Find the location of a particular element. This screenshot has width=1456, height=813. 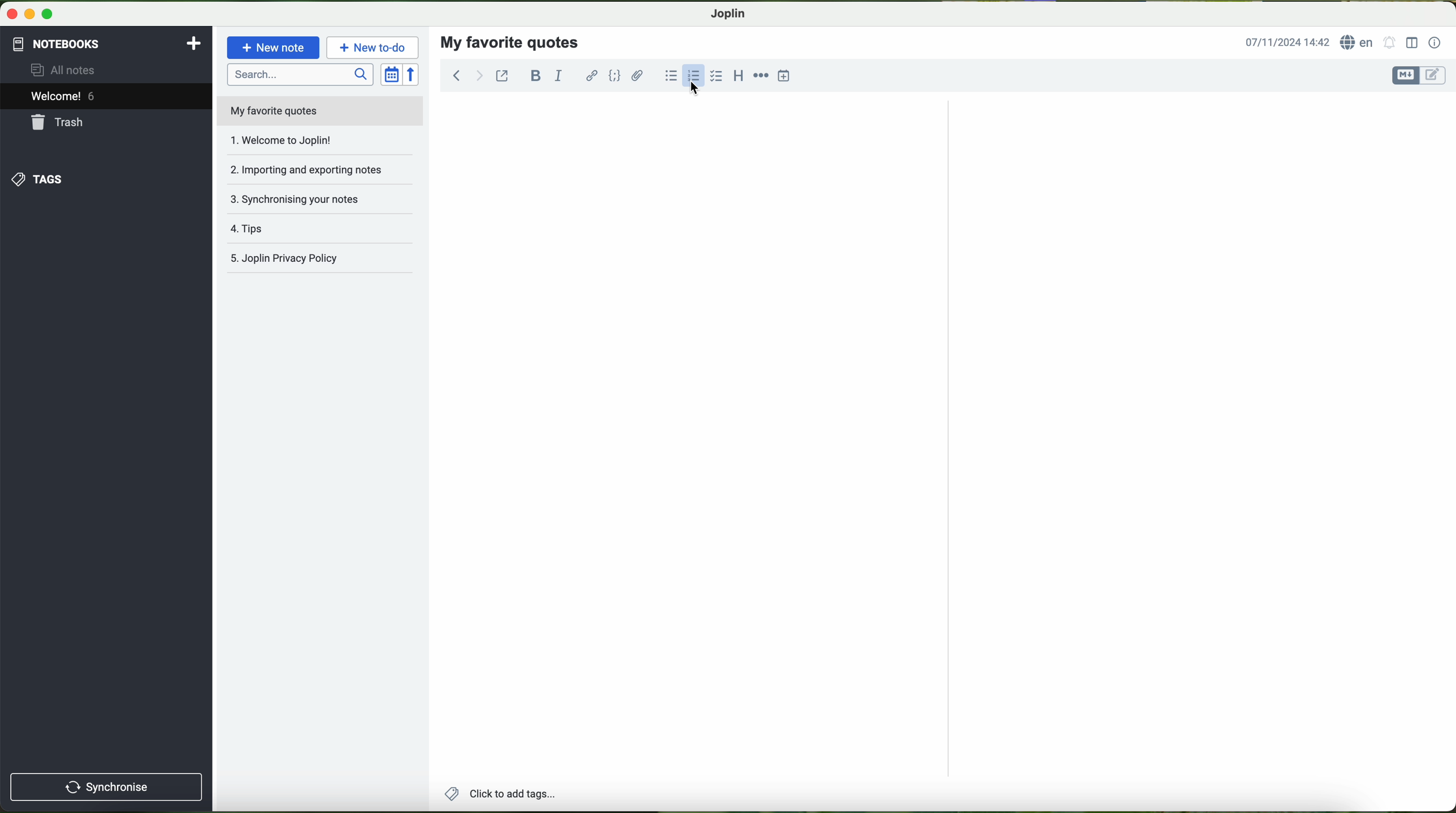

maximize is located at coordinates (47, 18).